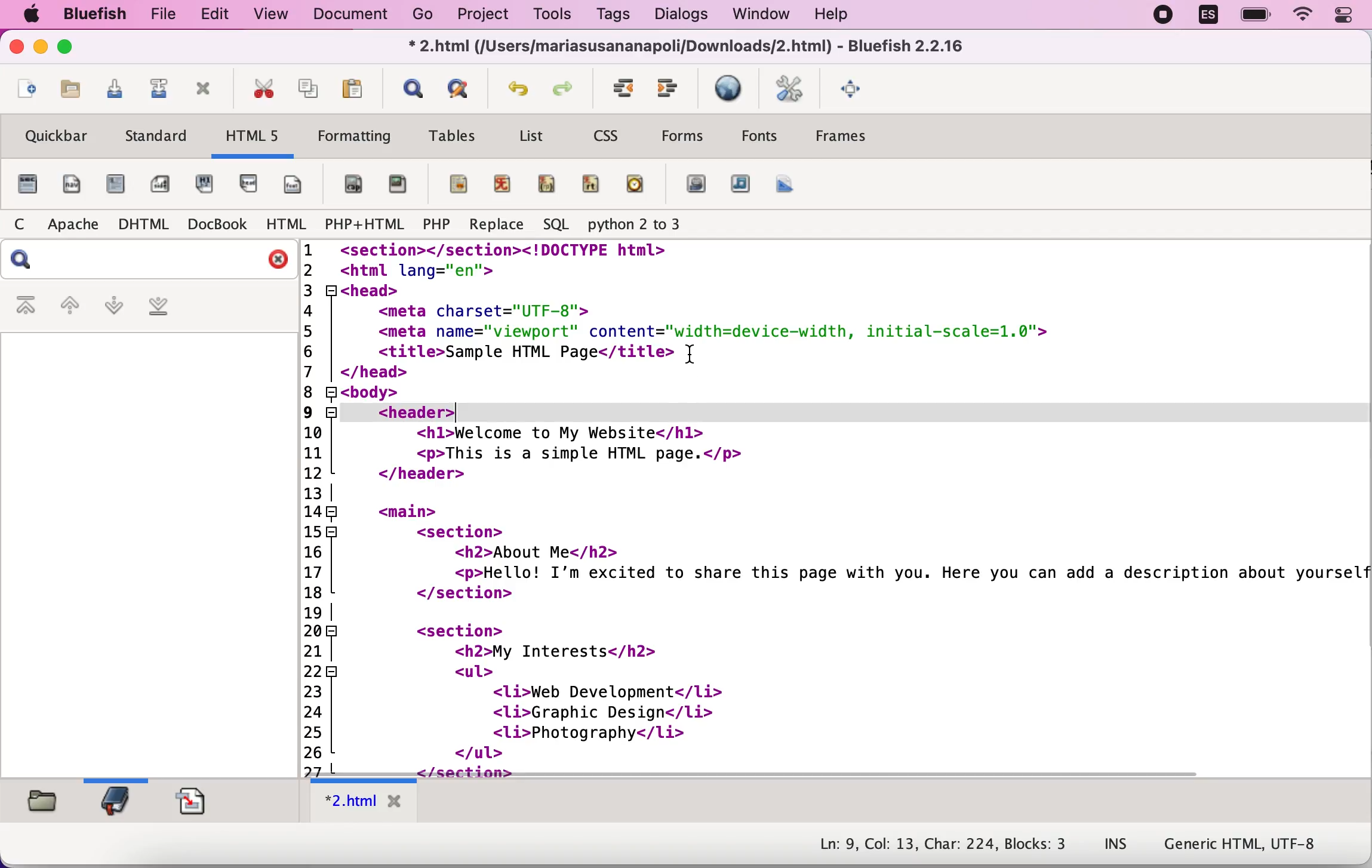 Image resolution: width=1372 pixels, height=868 pixels. I want to click on html5, so click(255, 139).